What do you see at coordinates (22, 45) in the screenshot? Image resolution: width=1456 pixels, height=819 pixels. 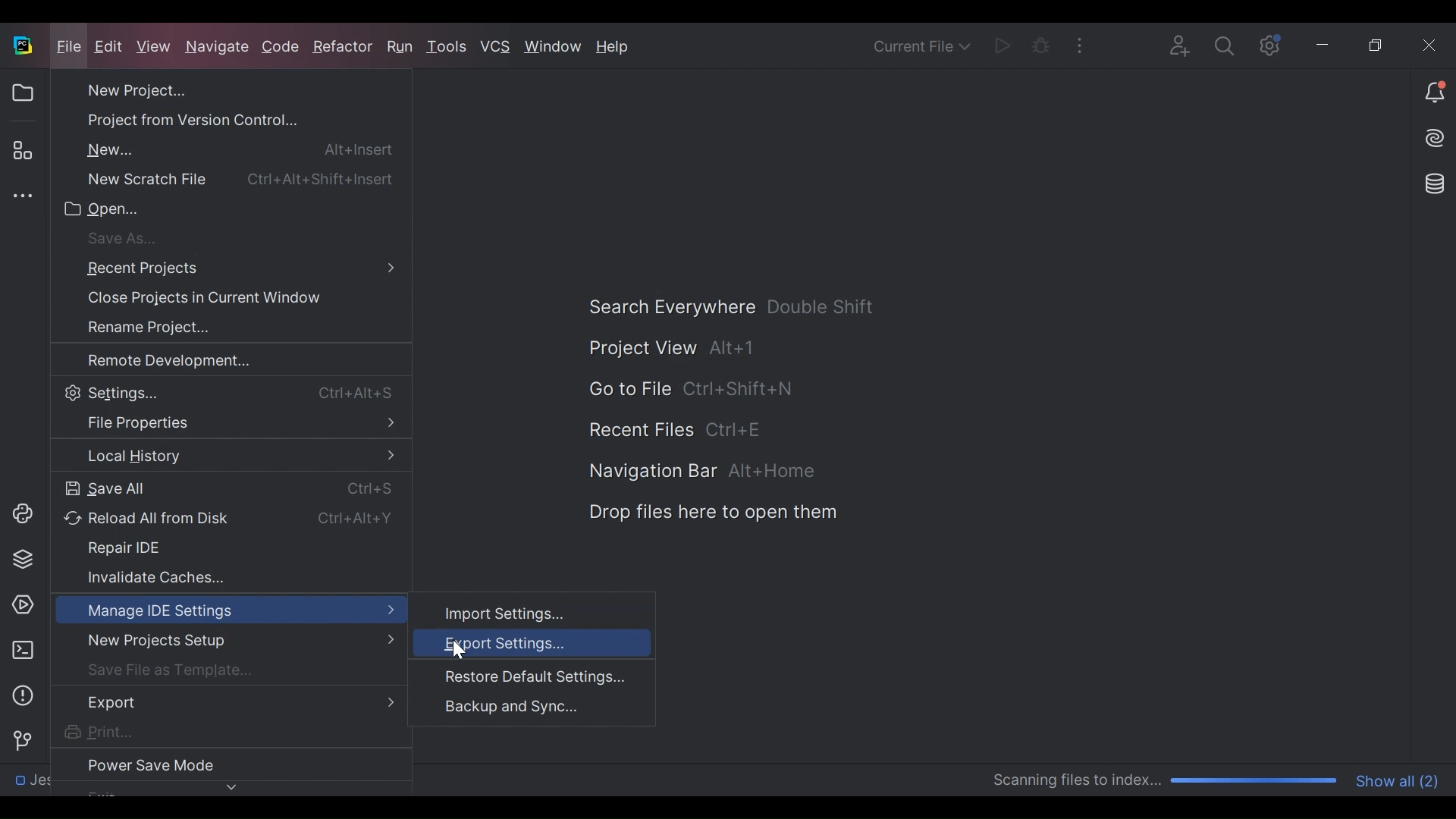 I see `PyCharm` at bounding box center [22, 45].